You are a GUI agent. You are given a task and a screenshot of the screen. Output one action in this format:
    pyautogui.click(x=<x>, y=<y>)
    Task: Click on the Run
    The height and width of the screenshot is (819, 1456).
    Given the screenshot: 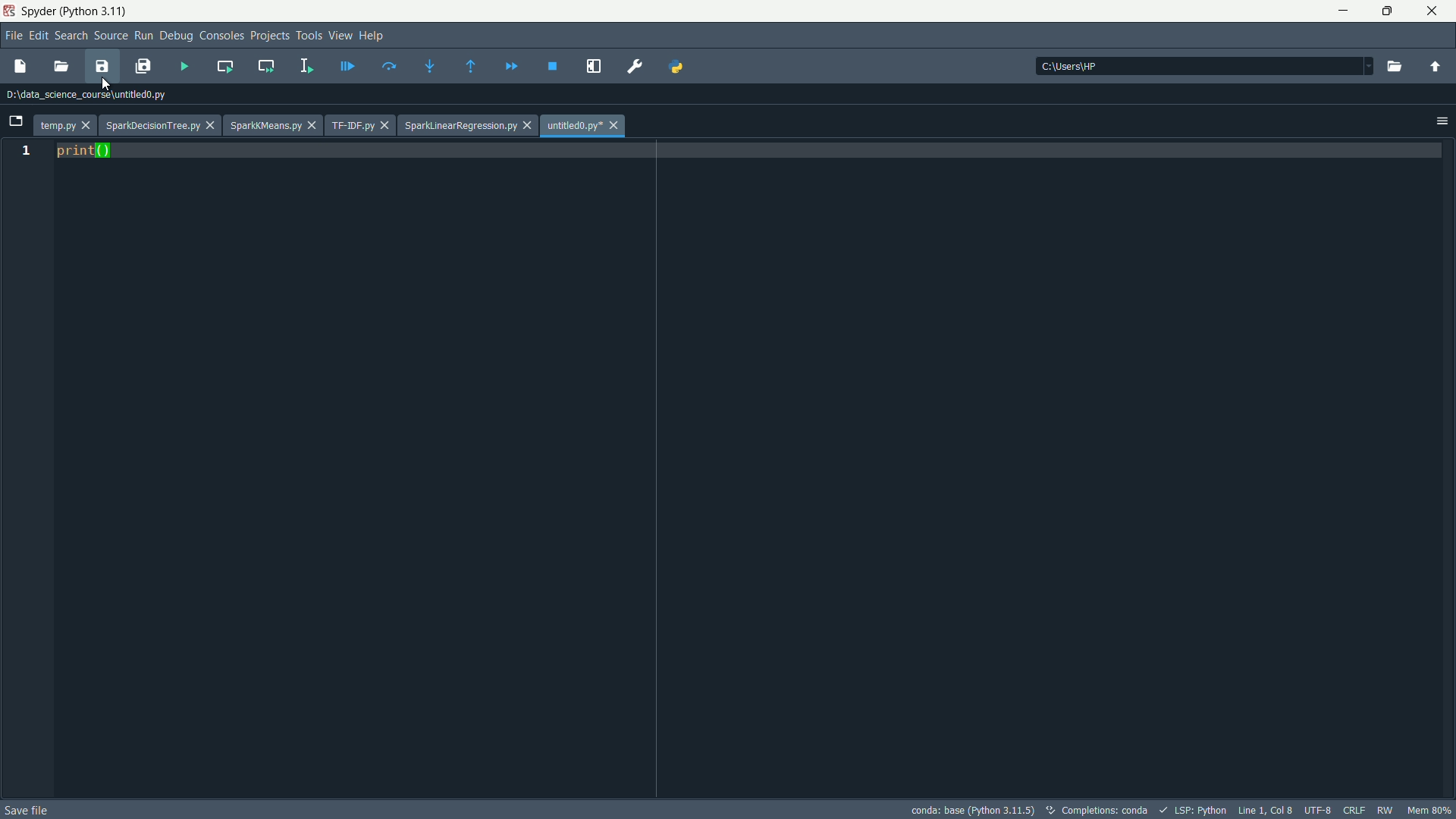 What is the action you would take?
    pyautogui.click(x=146, y=36)
    